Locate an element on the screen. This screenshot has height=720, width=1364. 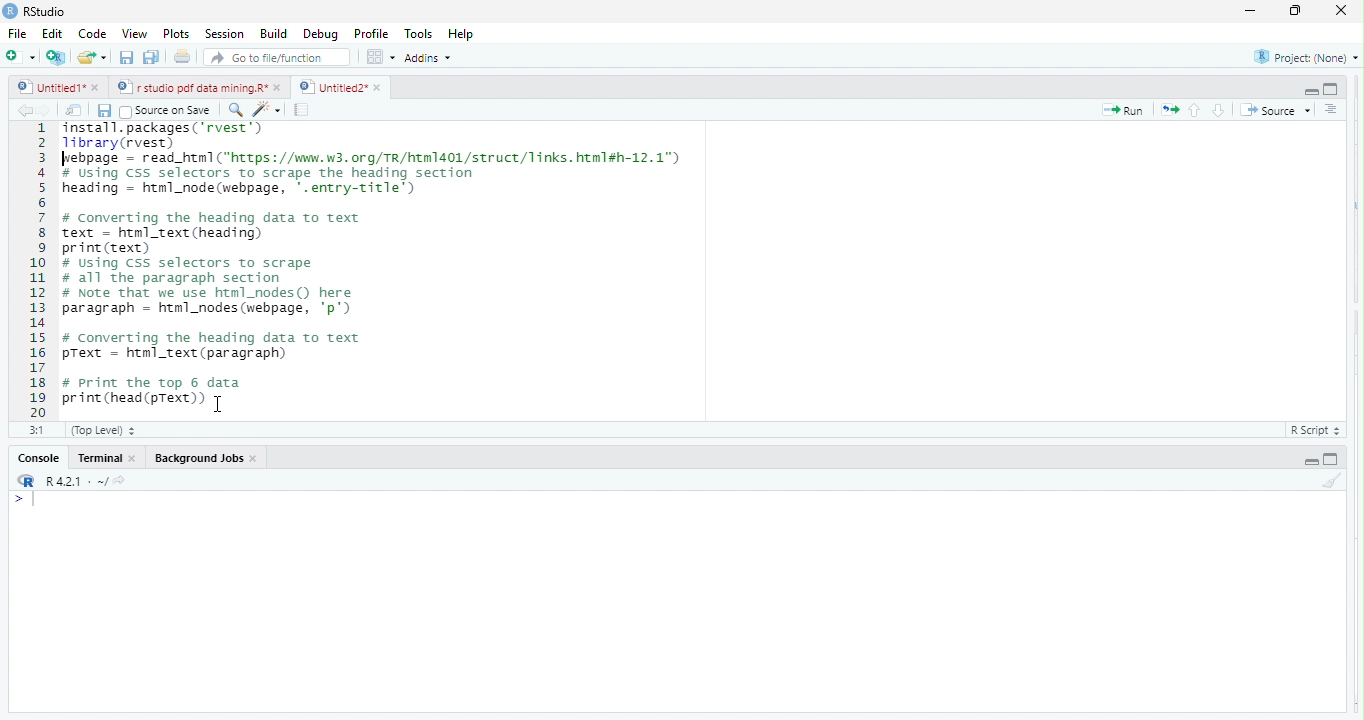
go to previous section/chunk is located at coordinates (1196, 111).